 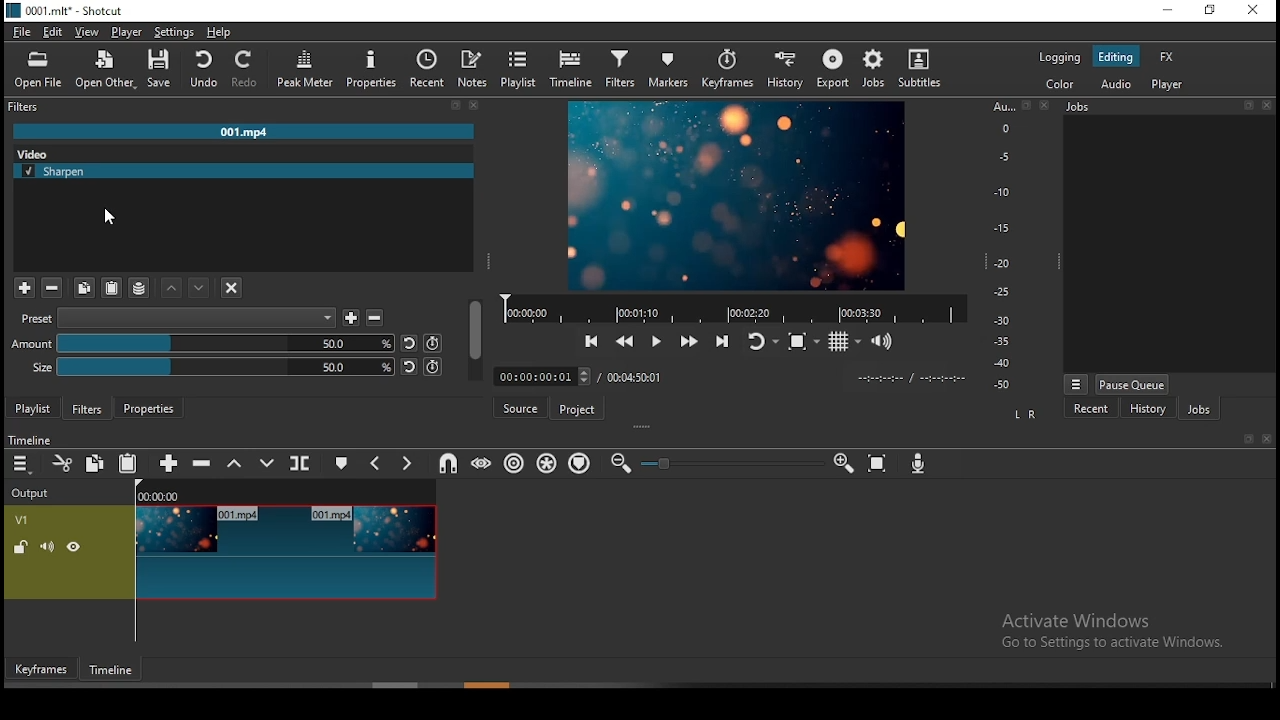 I want to click on move filter down, so click(x=199, y=288).